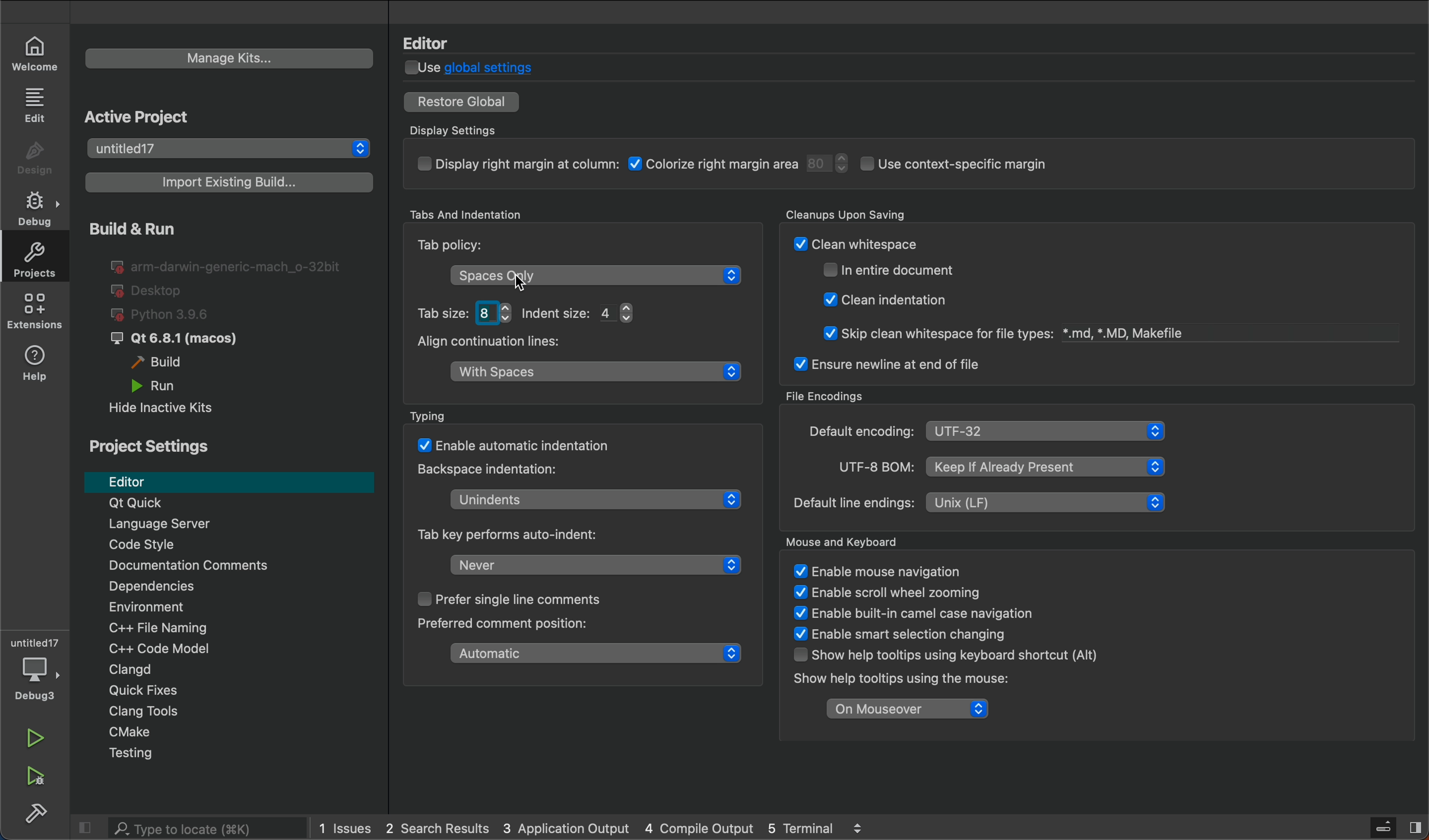  What do you see at coordinates (439, 829) in the screenshot?
I see `search results` at bounding box center [439, 829].